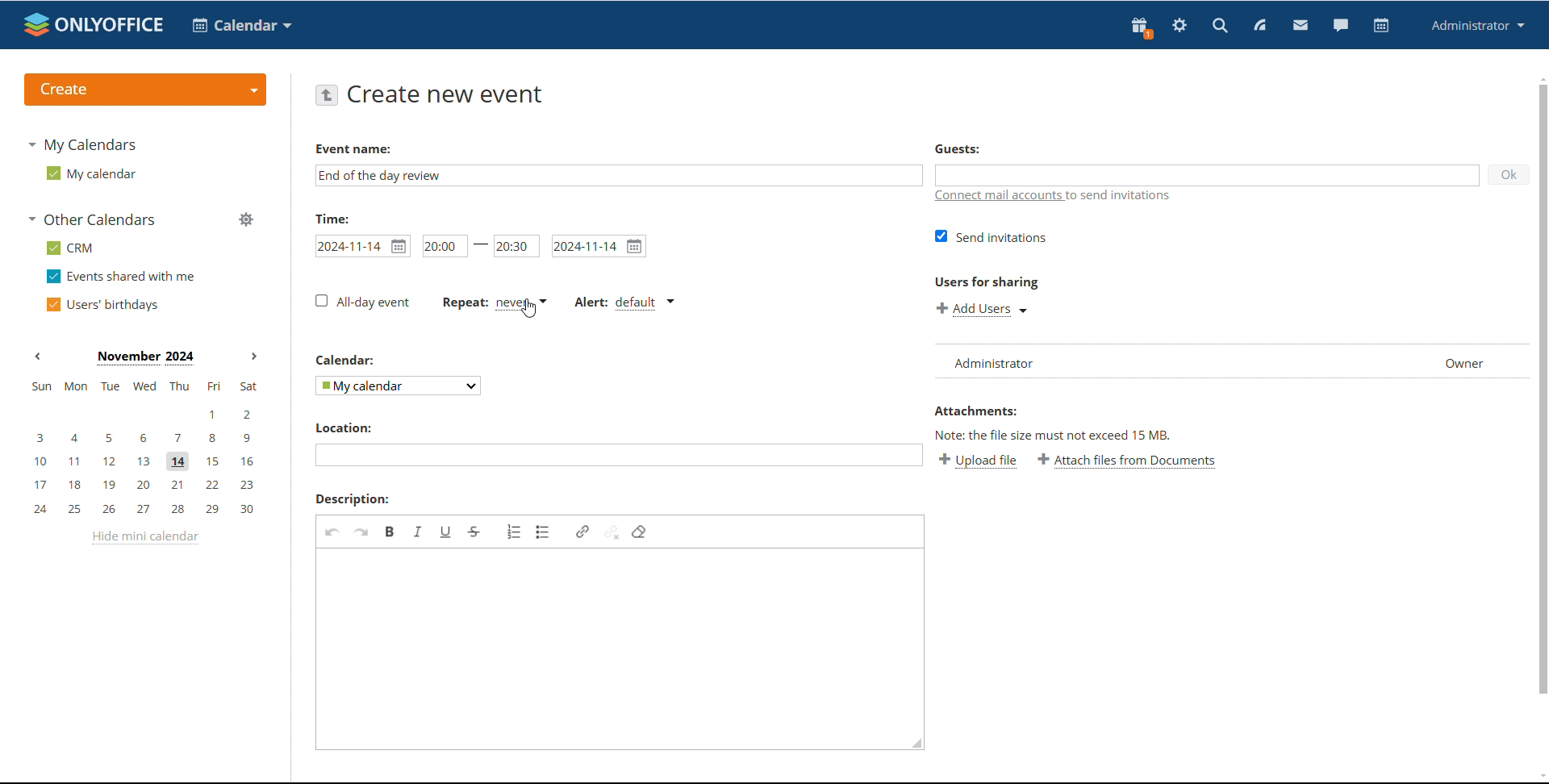  What do you see at coordinates (399, 385) in the screenshot?
I see `select calendar` at bounding box center [399, 385].